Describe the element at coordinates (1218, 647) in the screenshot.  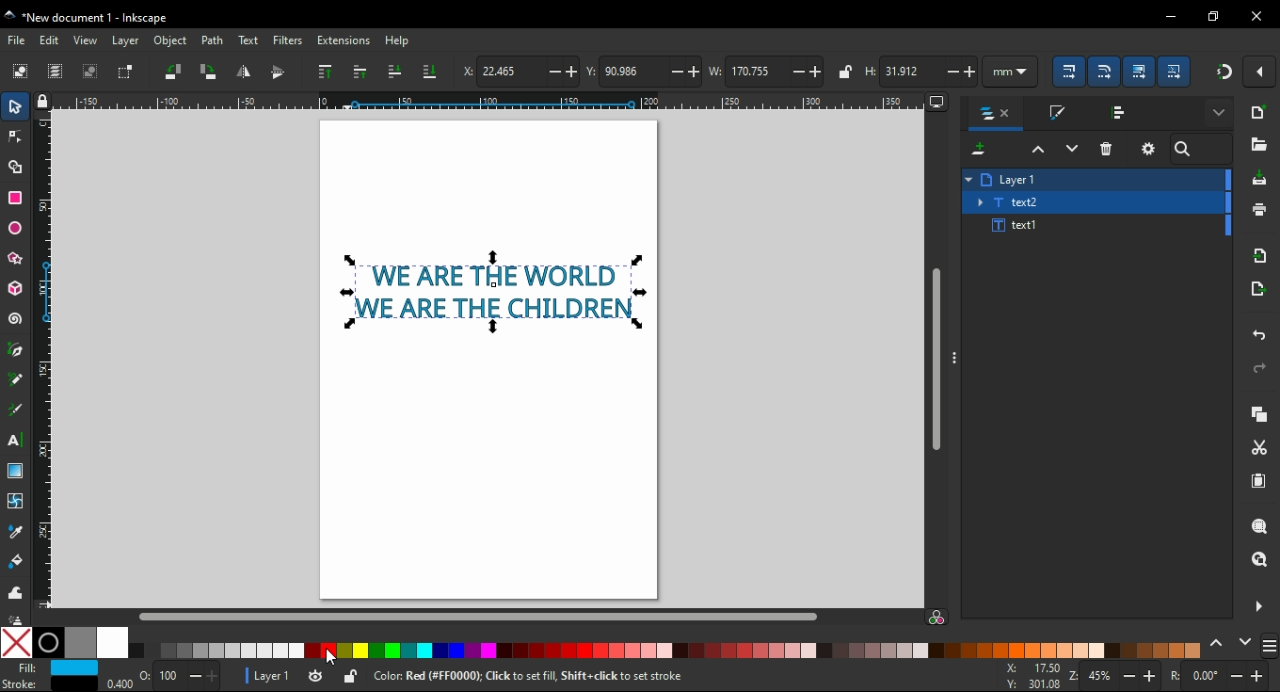
I see `previous` at that location.